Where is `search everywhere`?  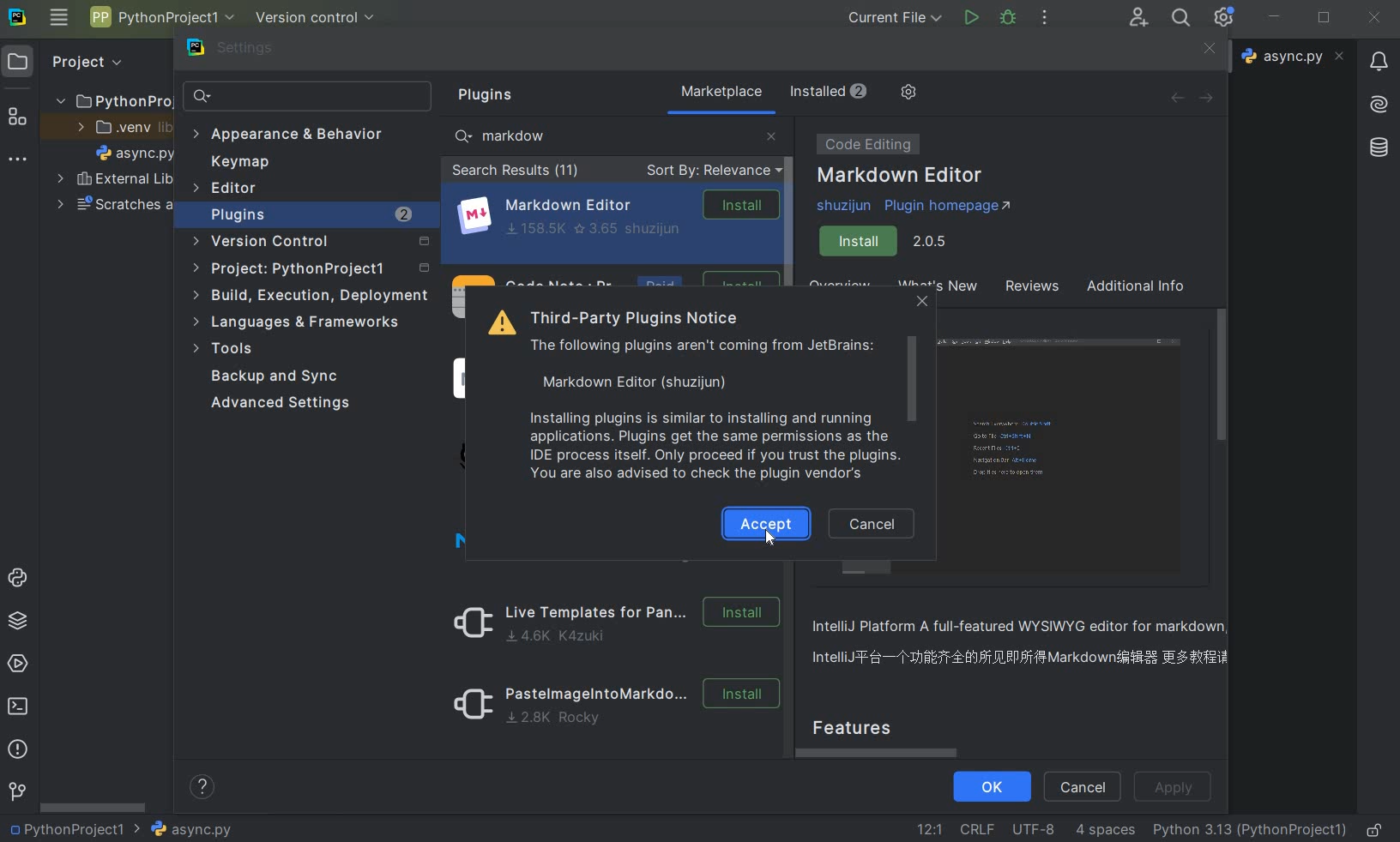 search everywhere is located at coordinates (1182, 17).